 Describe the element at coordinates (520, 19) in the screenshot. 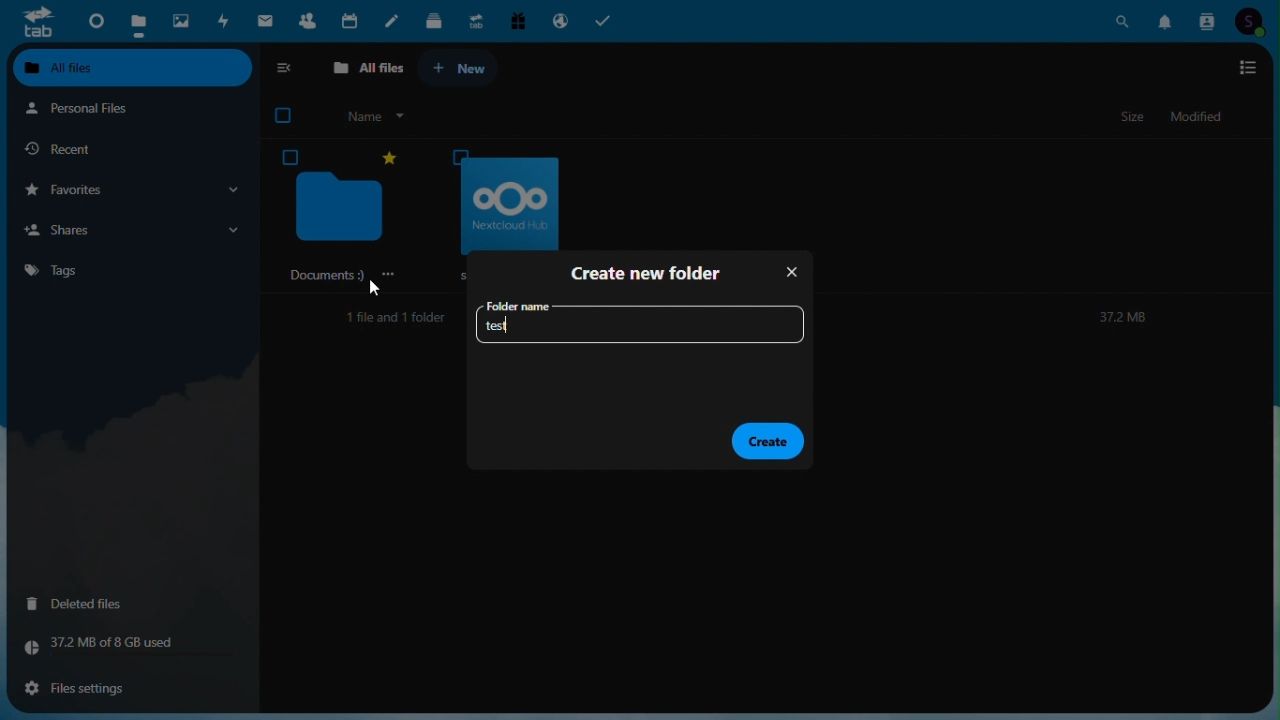

I see `Free trial` at that location.